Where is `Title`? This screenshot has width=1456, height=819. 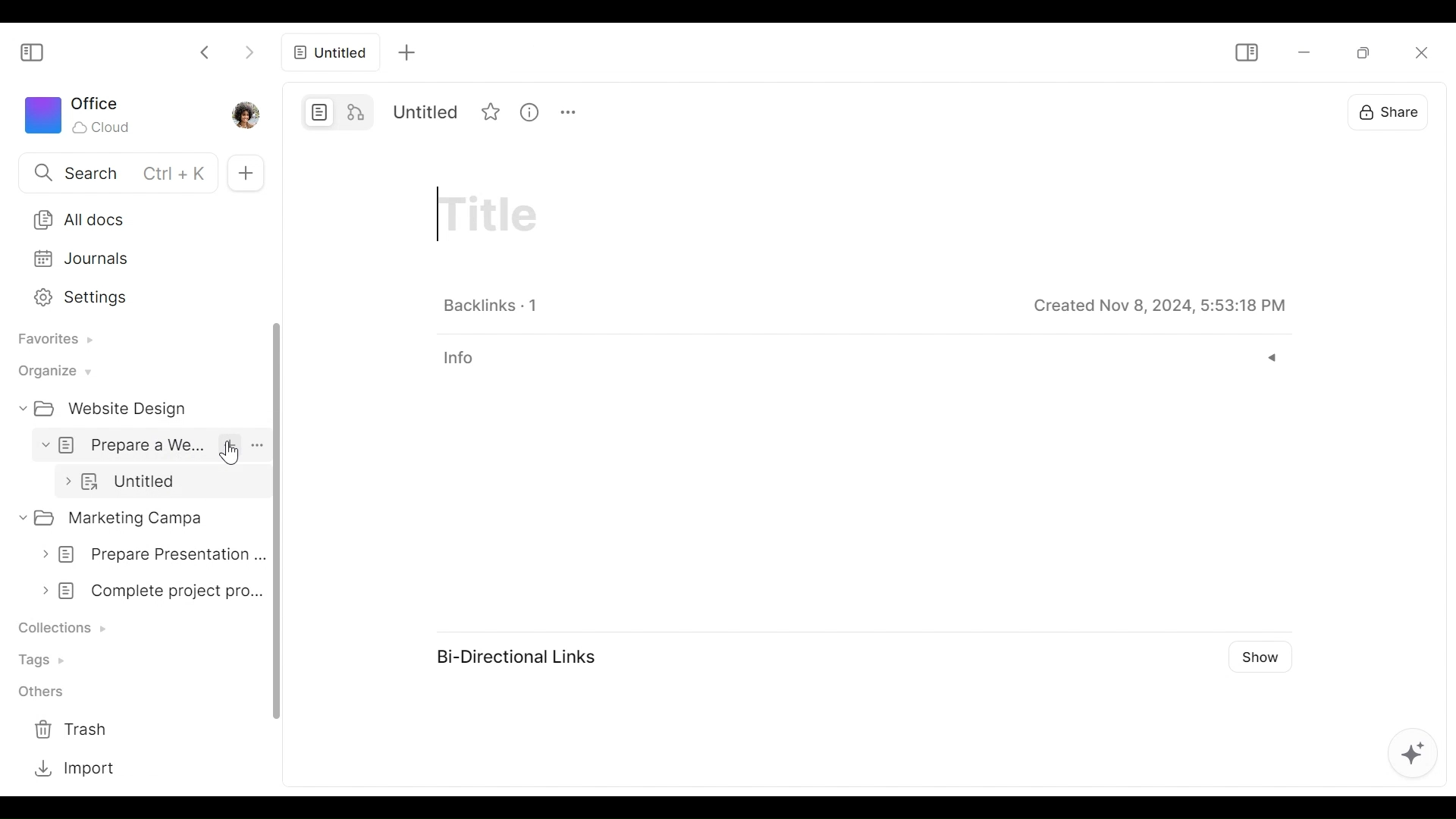 Title is located at coordinates (507, 111).